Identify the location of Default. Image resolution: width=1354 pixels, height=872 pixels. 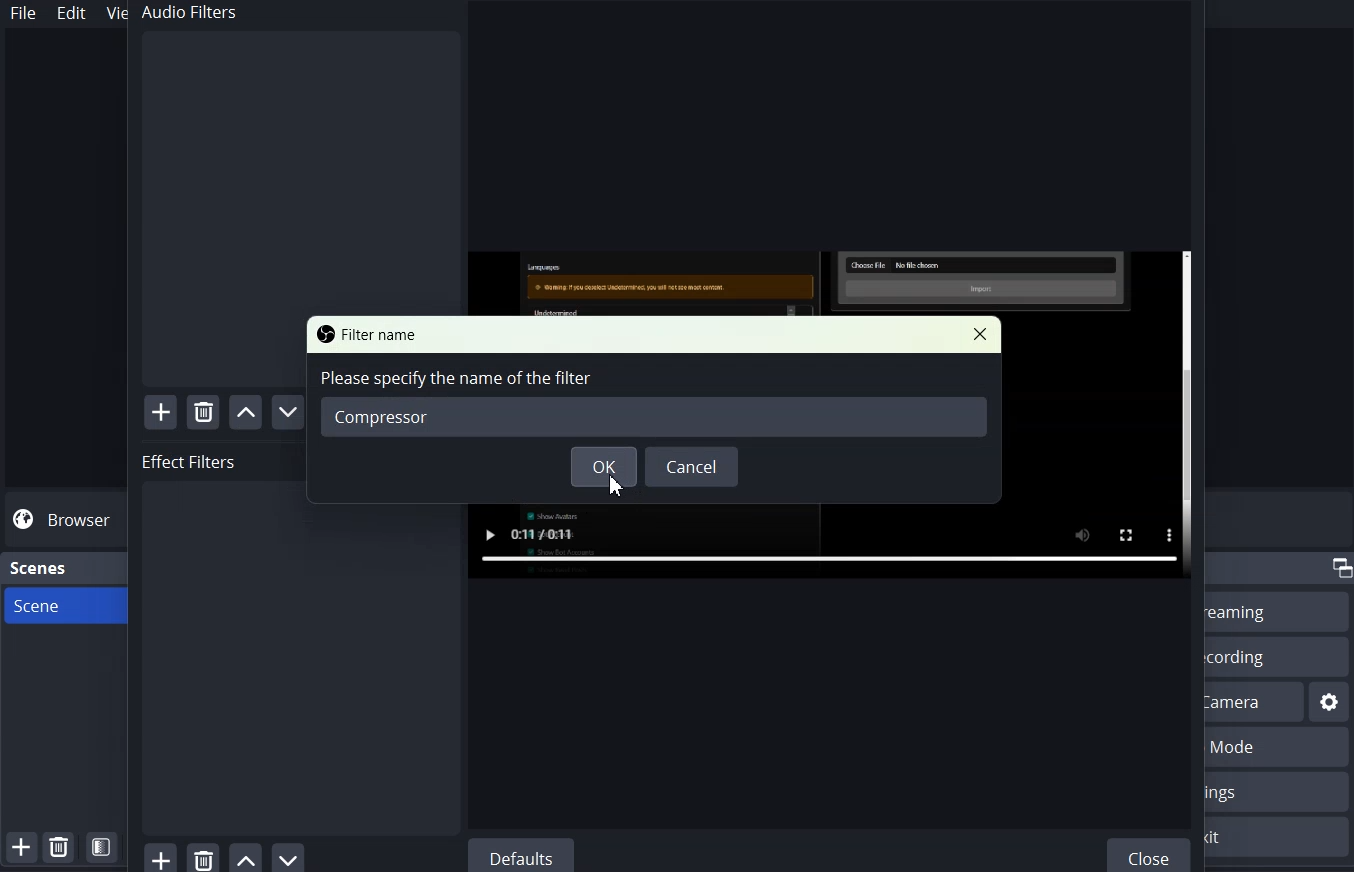
(520, 855).